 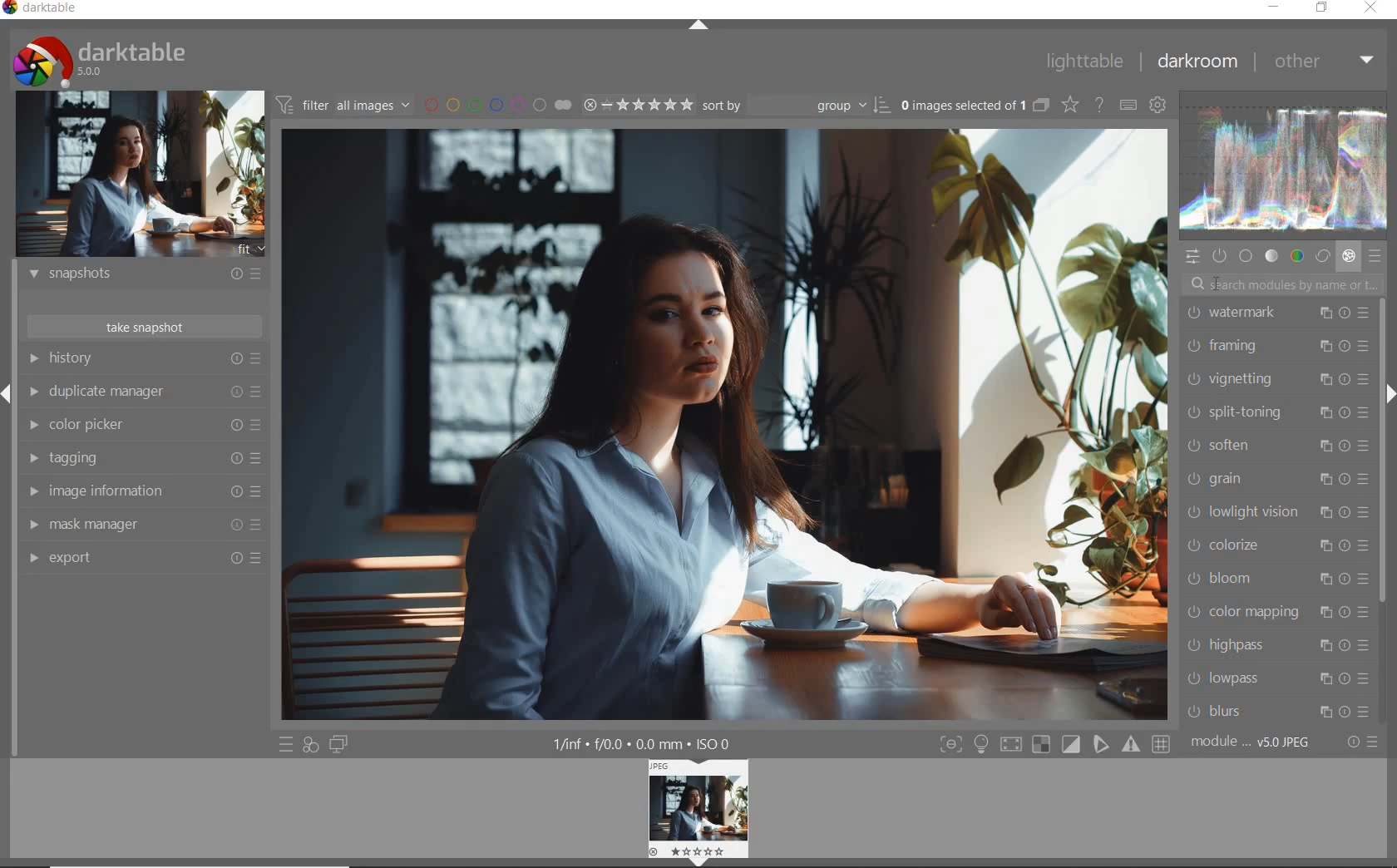 What do you see at coordinates (1127, 105) in the screenshot?
I see `set keyboard shortcuts` at bounding box center [1127, 105].